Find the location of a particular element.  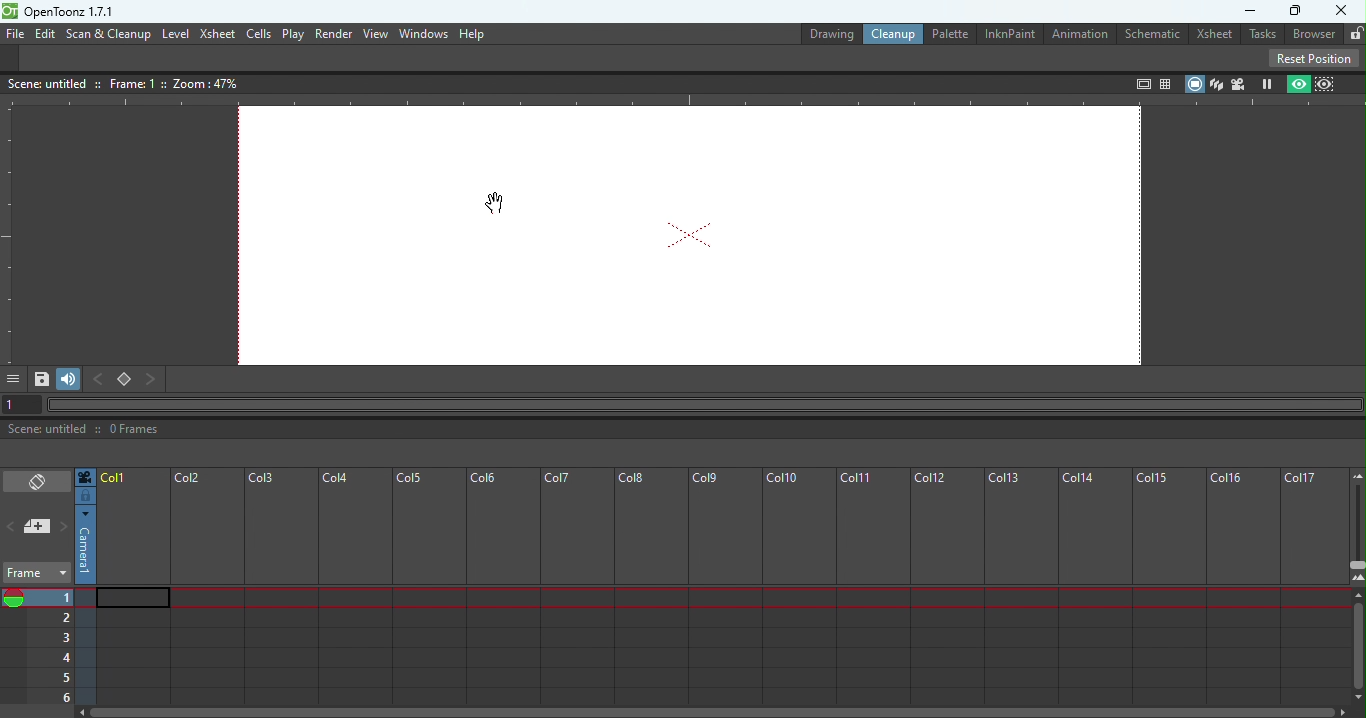

Reset position is located at coordinates (1317, 57).